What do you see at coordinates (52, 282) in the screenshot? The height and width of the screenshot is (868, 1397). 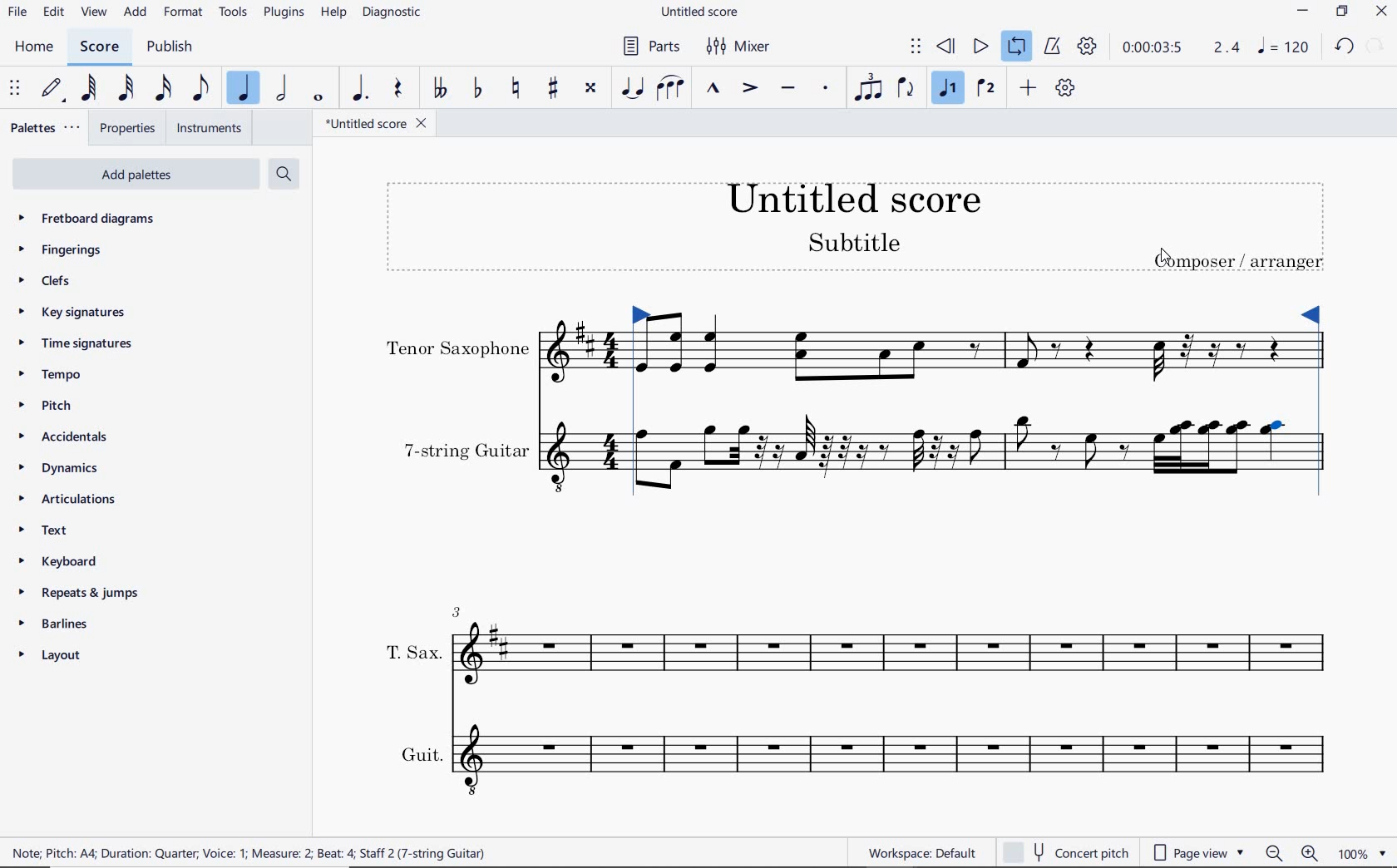 I see `CLEFS` at bounding box center [52, 282].